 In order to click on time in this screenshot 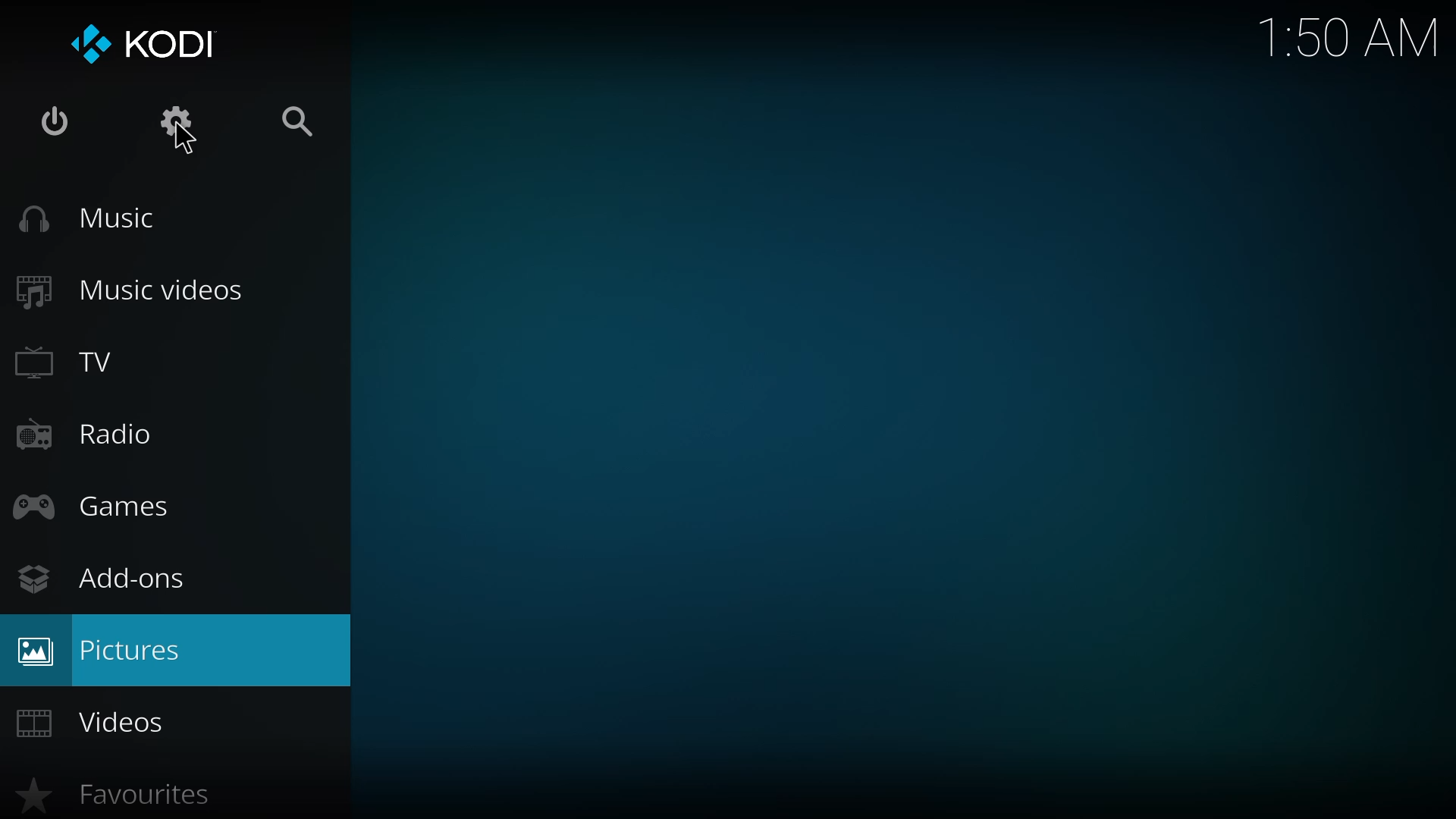, I will do `click(1345, 37)`.